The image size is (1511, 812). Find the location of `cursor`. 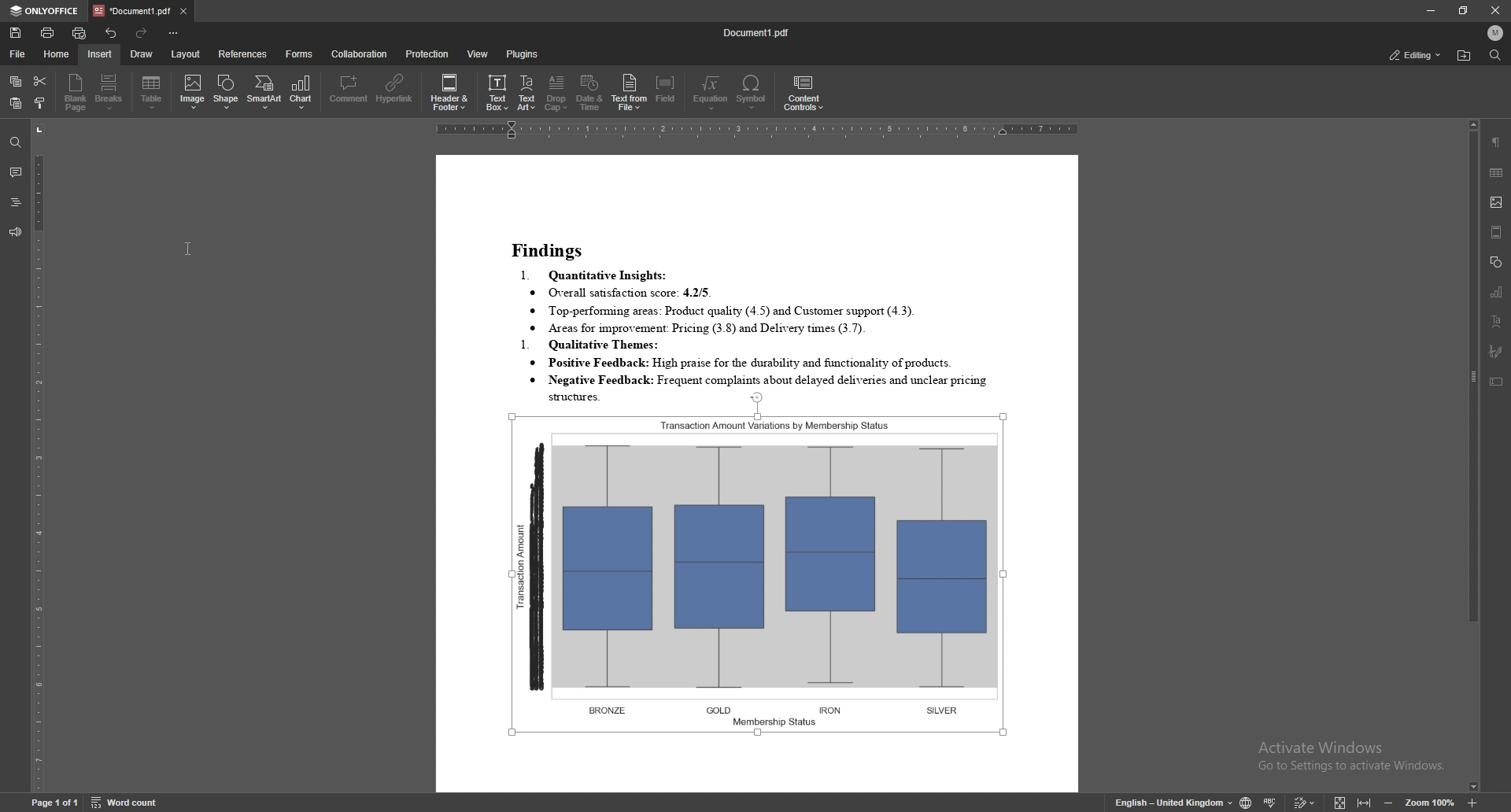

cursor is located at coordinates (189, 246).